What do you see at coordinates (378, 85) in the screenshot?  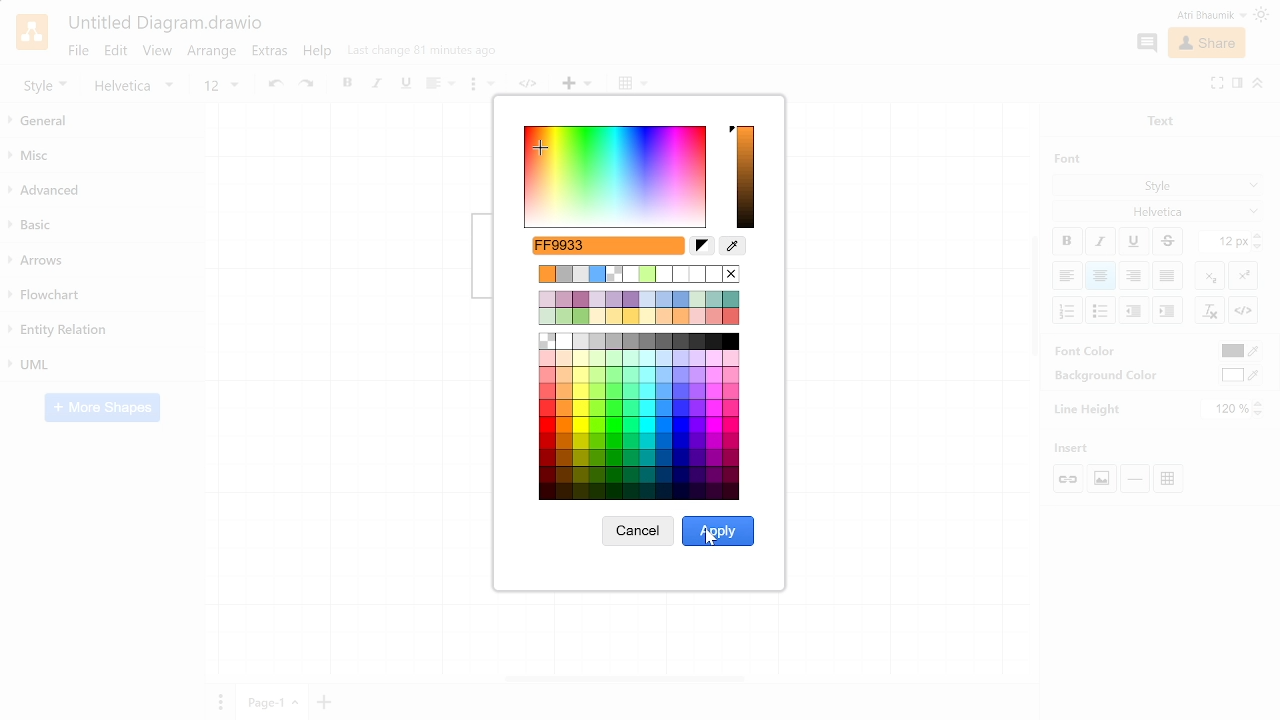 I see `italics` at bounding box center [378, 85].